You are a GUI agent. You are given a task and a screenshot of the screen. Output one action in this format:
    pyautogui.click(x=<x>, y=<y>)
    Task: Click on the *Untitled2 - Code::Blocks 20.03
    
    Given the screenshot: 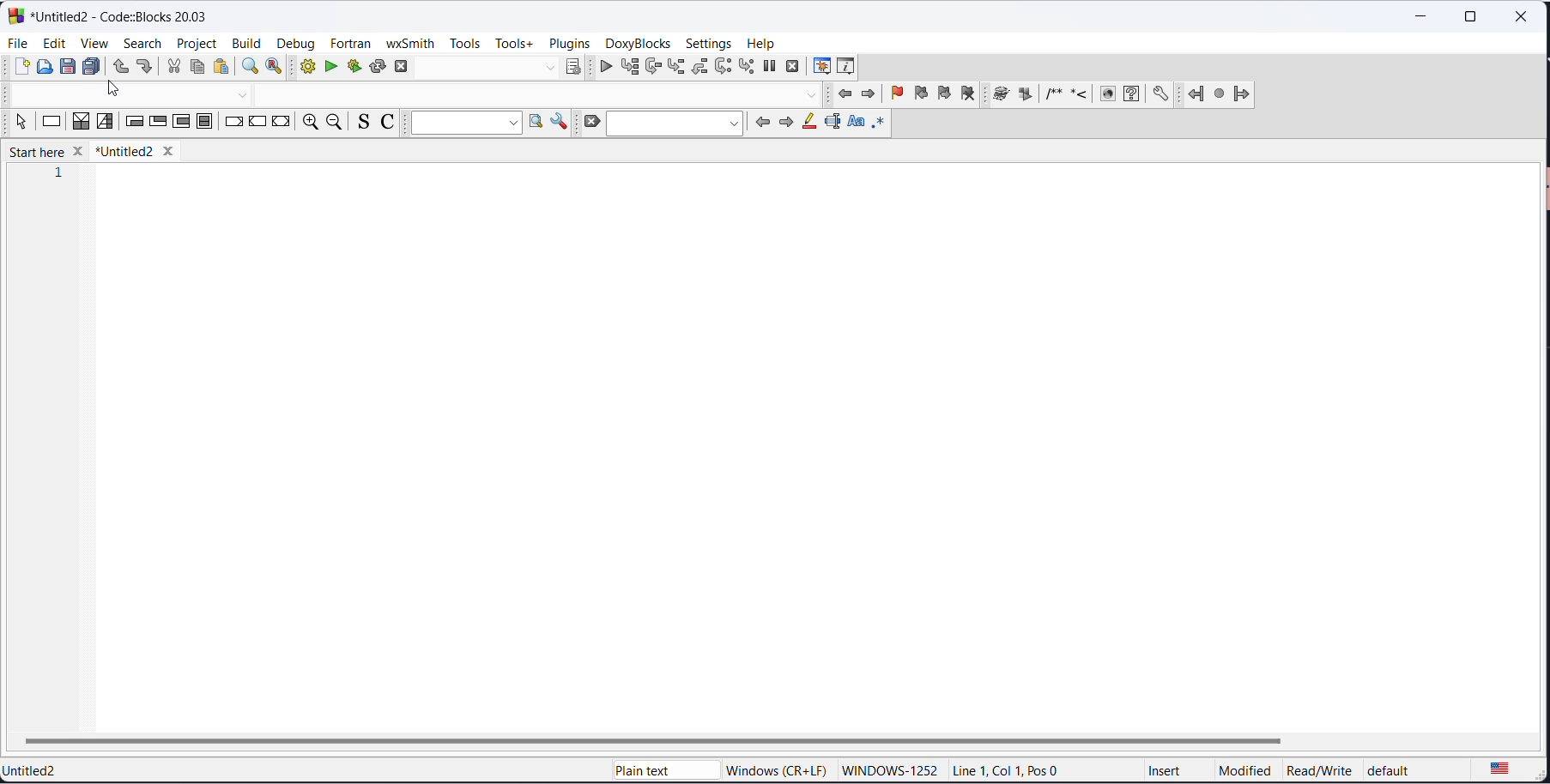 What is the action you would take?
    pyautogui.click(x=106, y=17)
    